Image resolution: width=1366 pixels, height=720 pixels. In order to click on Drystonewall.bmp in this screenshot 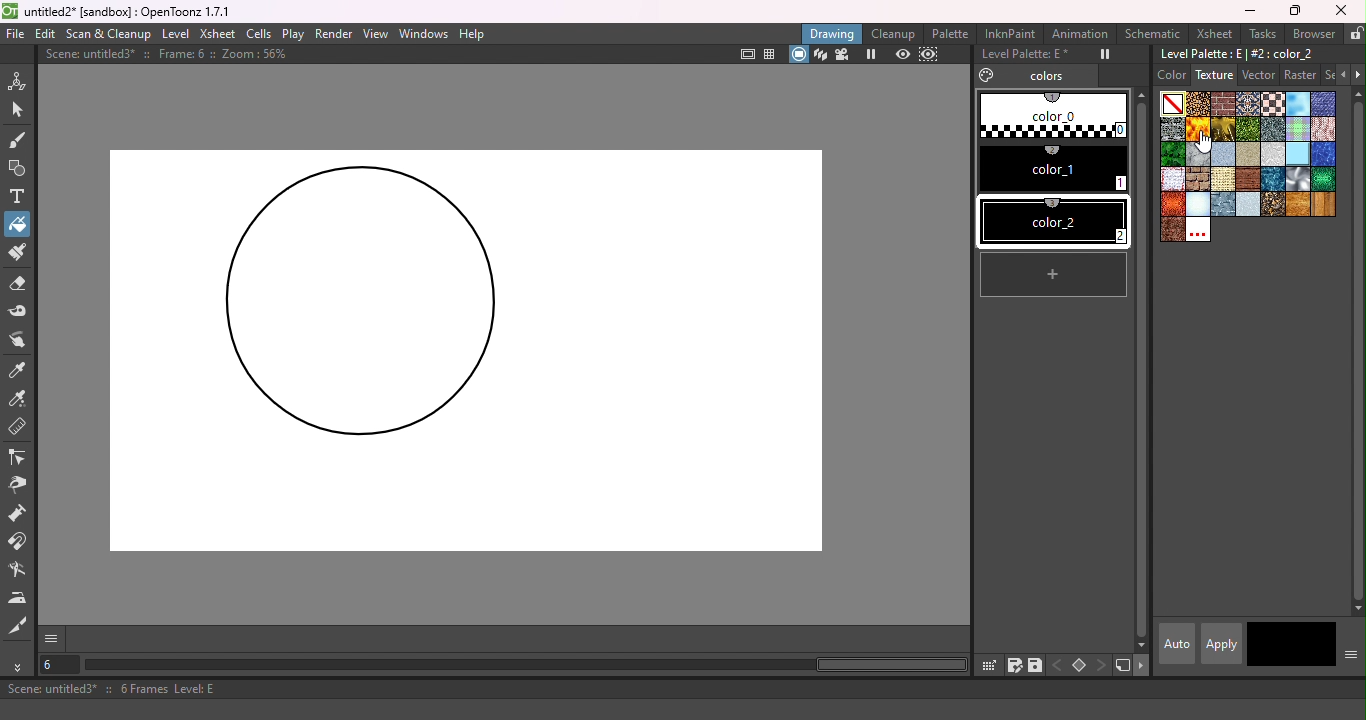, I will do `click(1172, 129)`.